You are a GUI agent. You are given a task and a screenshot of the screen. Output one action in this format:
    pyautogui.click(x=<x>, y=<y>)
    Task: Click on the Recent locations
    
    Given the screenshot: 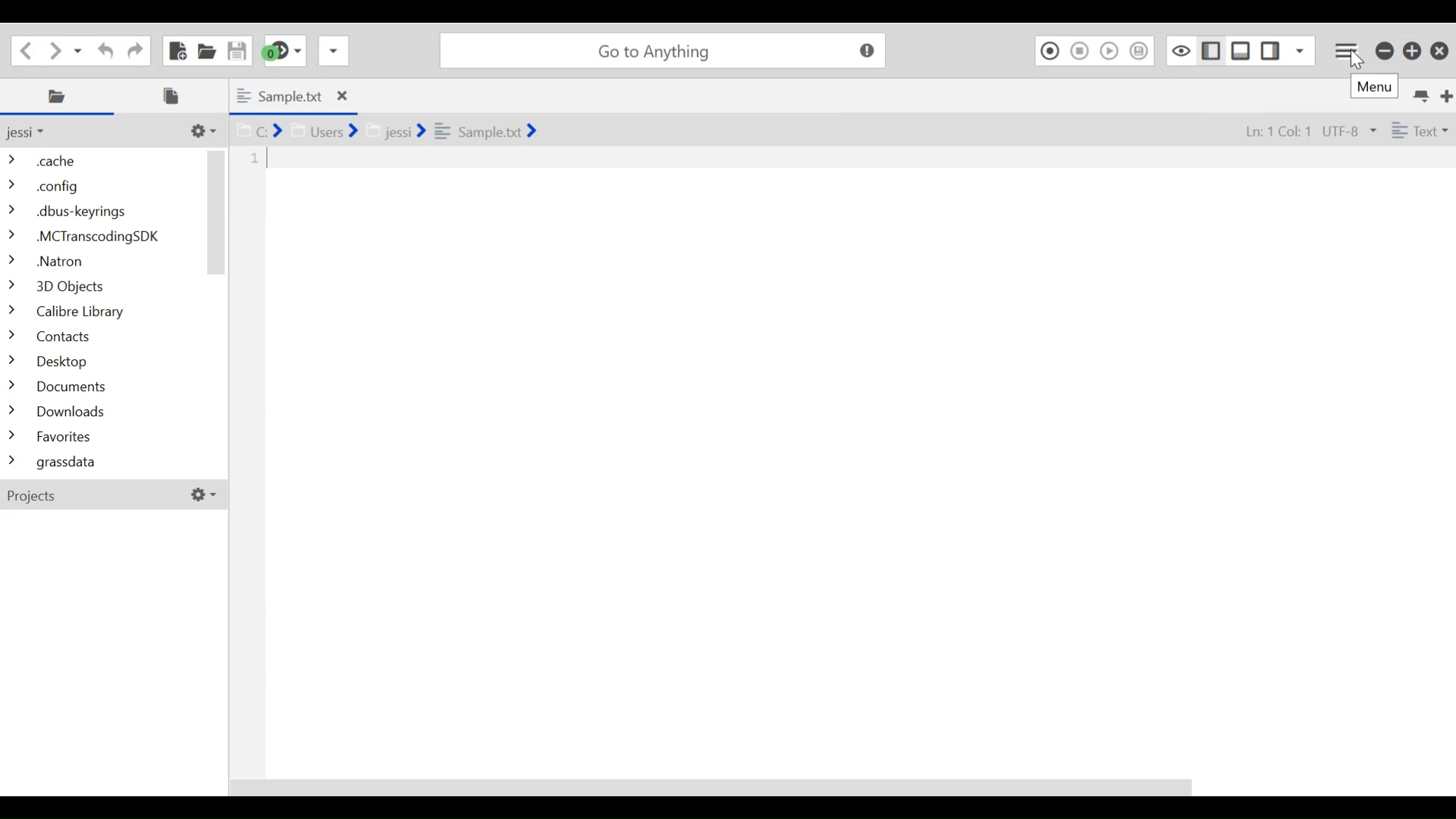 What is the action you would take?
    pyautogui.click(x=80, y=49)
    